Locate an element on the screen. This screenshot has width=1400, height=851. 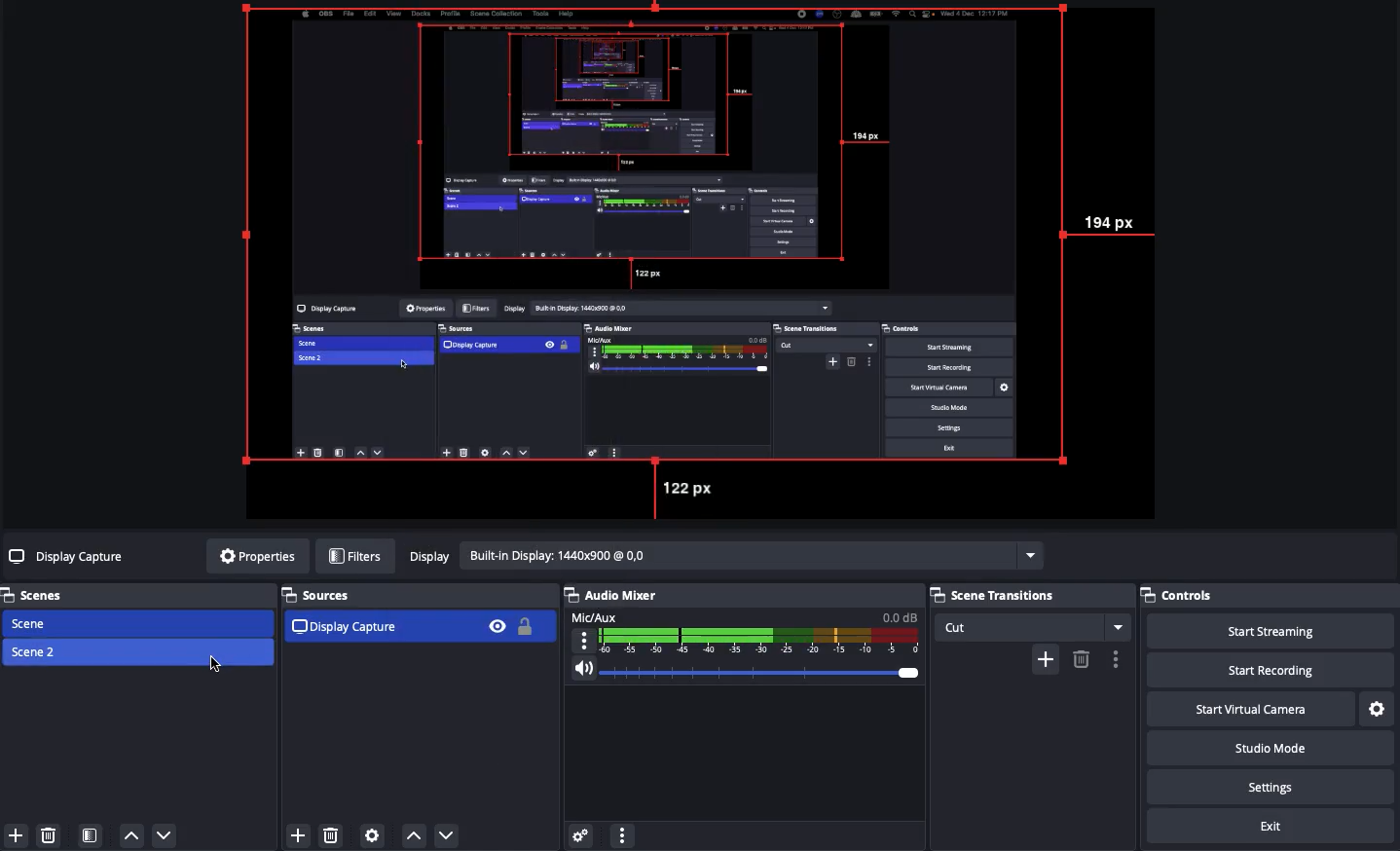
next is located at coordinates (452, 834).